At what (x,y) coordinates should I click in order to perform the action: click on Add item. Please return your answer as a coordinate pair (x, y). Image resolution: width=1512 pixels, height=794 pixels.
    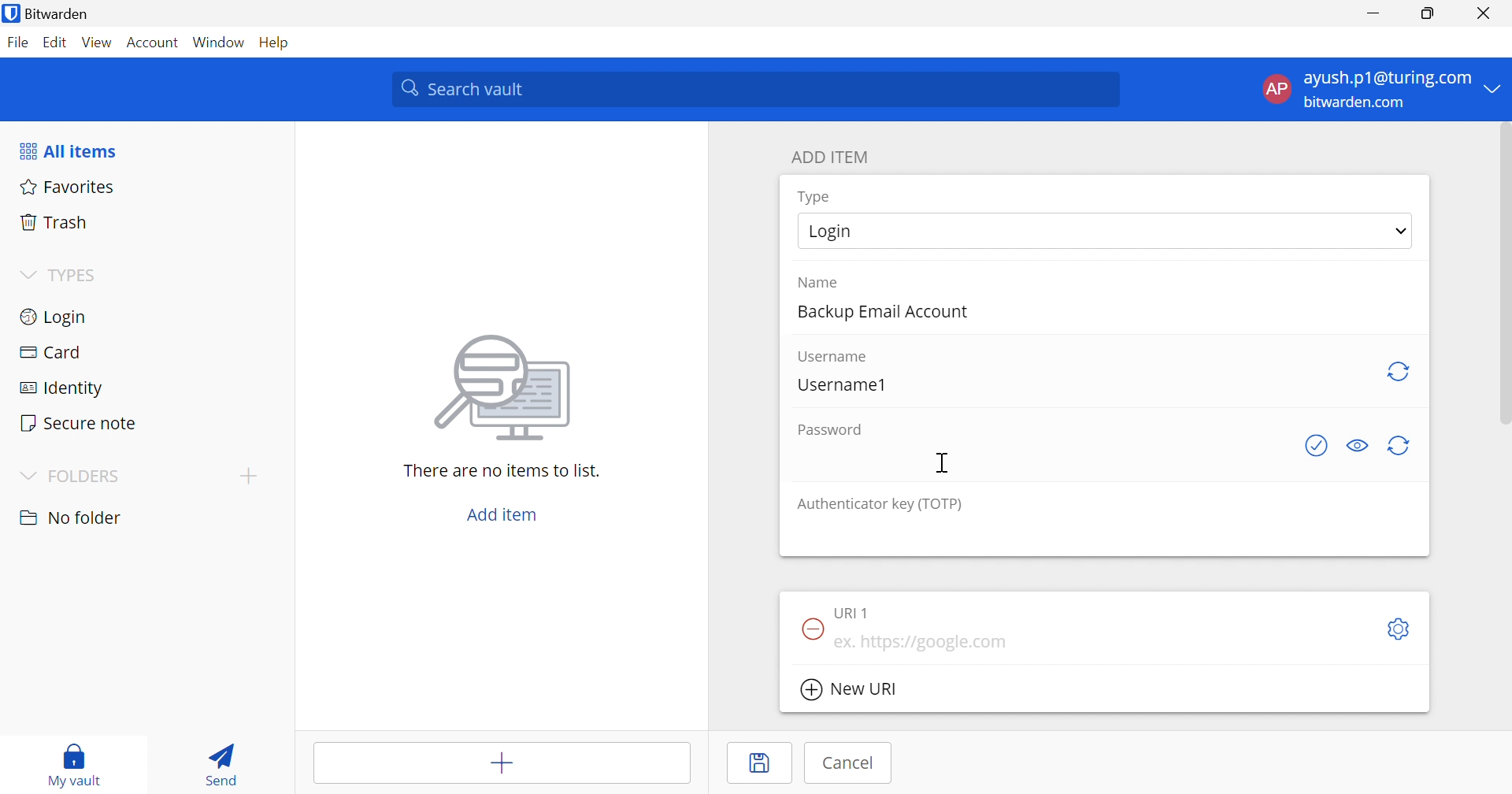
    Looking at the image, I should click on (500, 760).